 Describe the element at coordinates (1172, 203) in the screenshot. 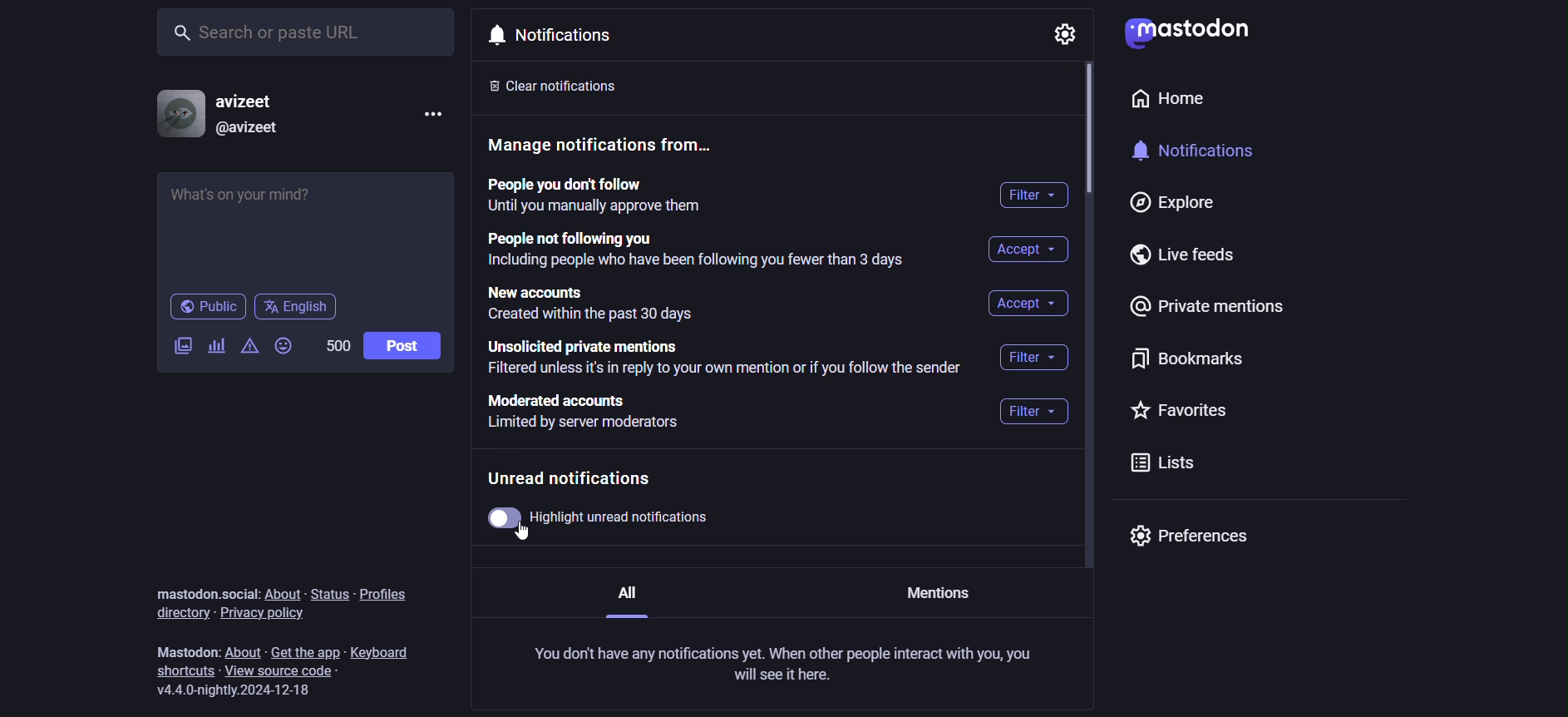

I see `explore` at that location.